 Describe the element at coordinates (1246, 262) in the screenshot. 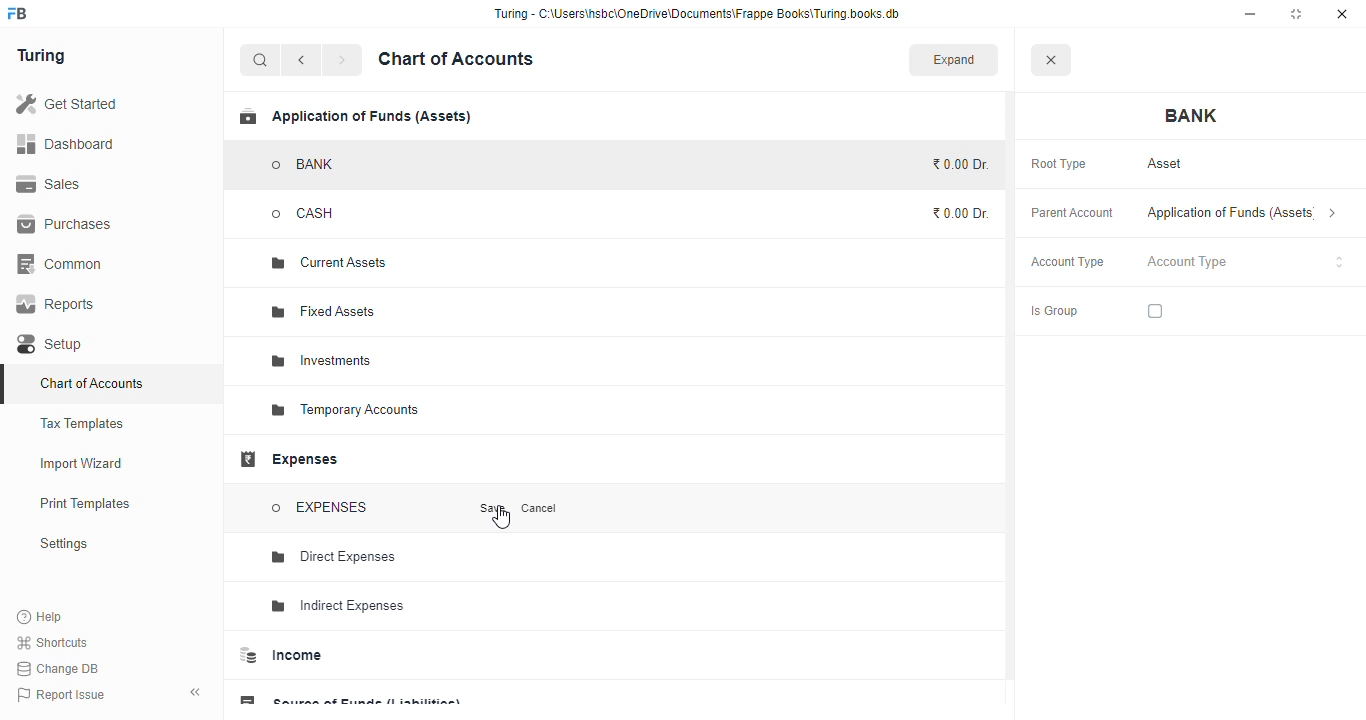

I see `account type` at that location.